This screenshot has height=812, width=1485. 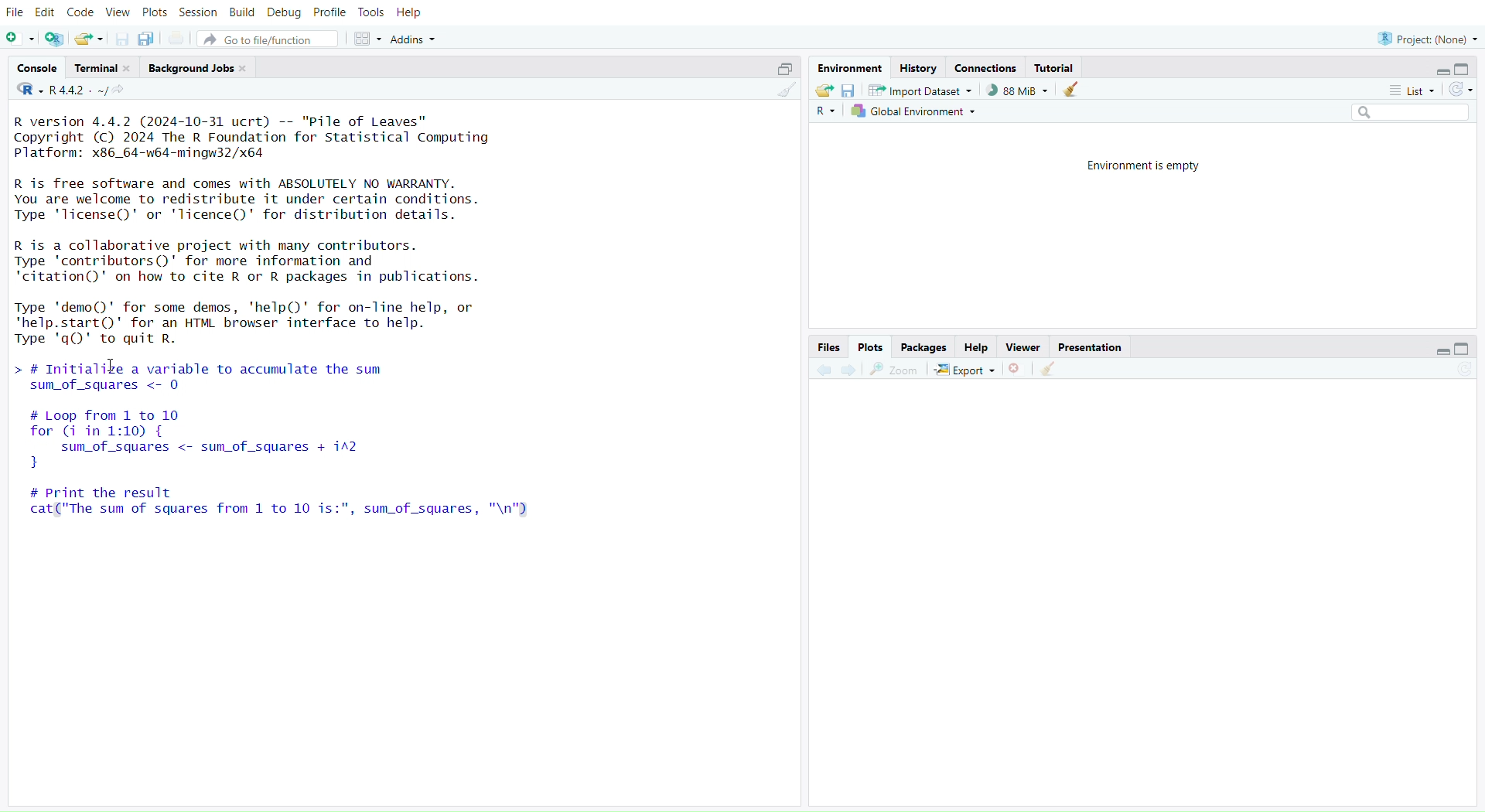 What do you see at coordinates (967, 370) in the screenshot?
I see `export` at bounding box center [967, 370].